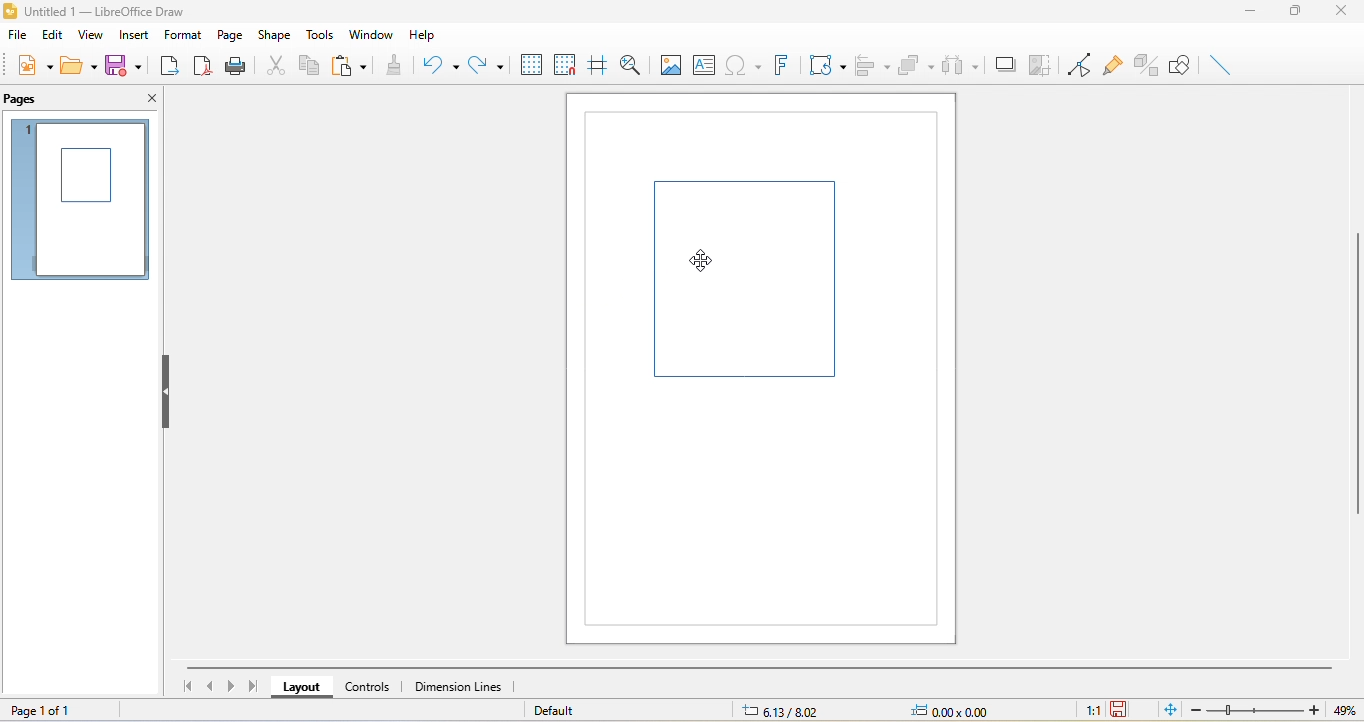 The height and width of the screenshot is (722, 1364). Describe the element at coordinates (208, 686) in the screenshot. I see `previous page` at that location.